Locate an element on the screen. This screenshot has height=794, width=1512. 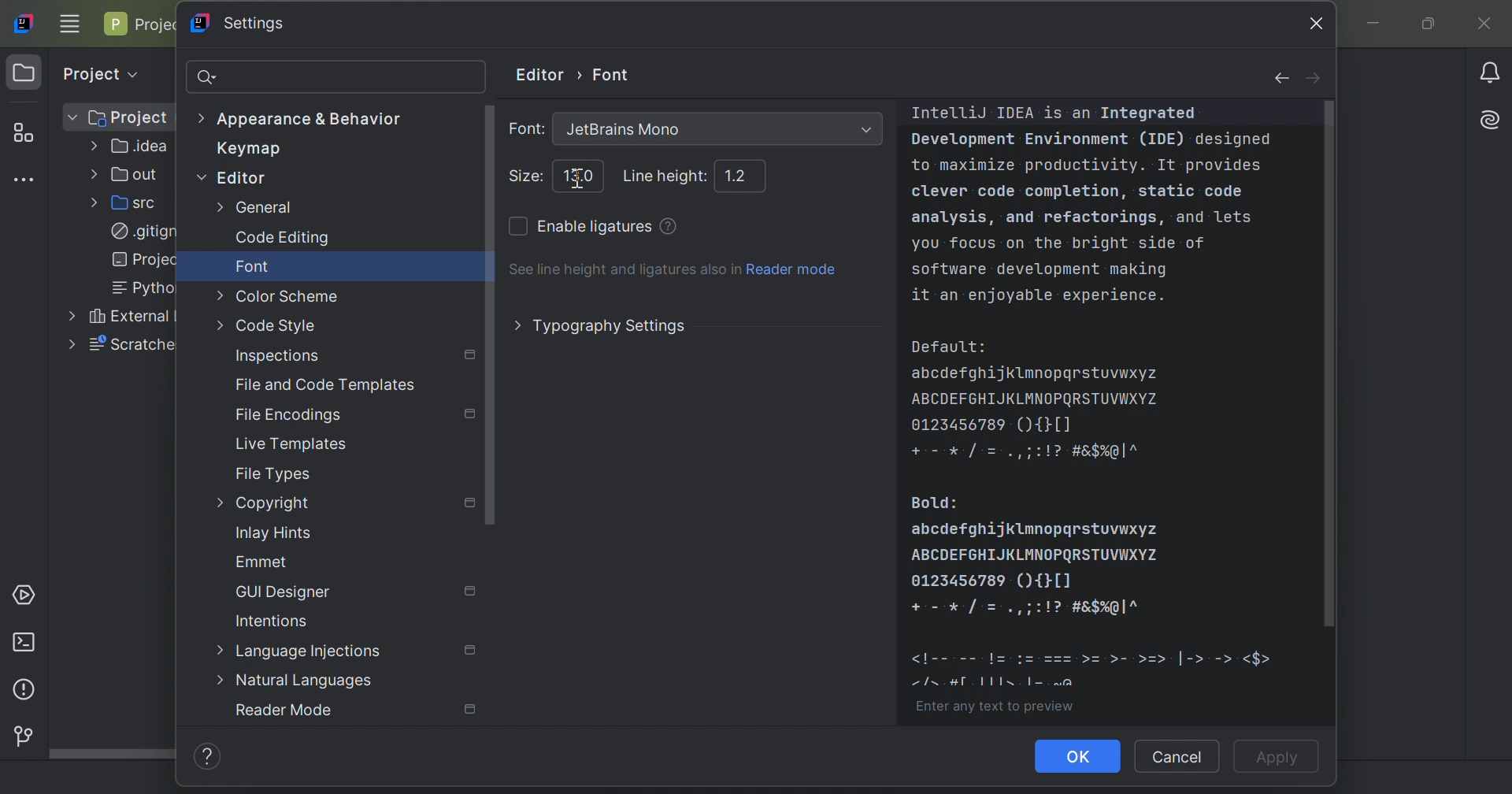
Structure is located at coordinates (24, 134).